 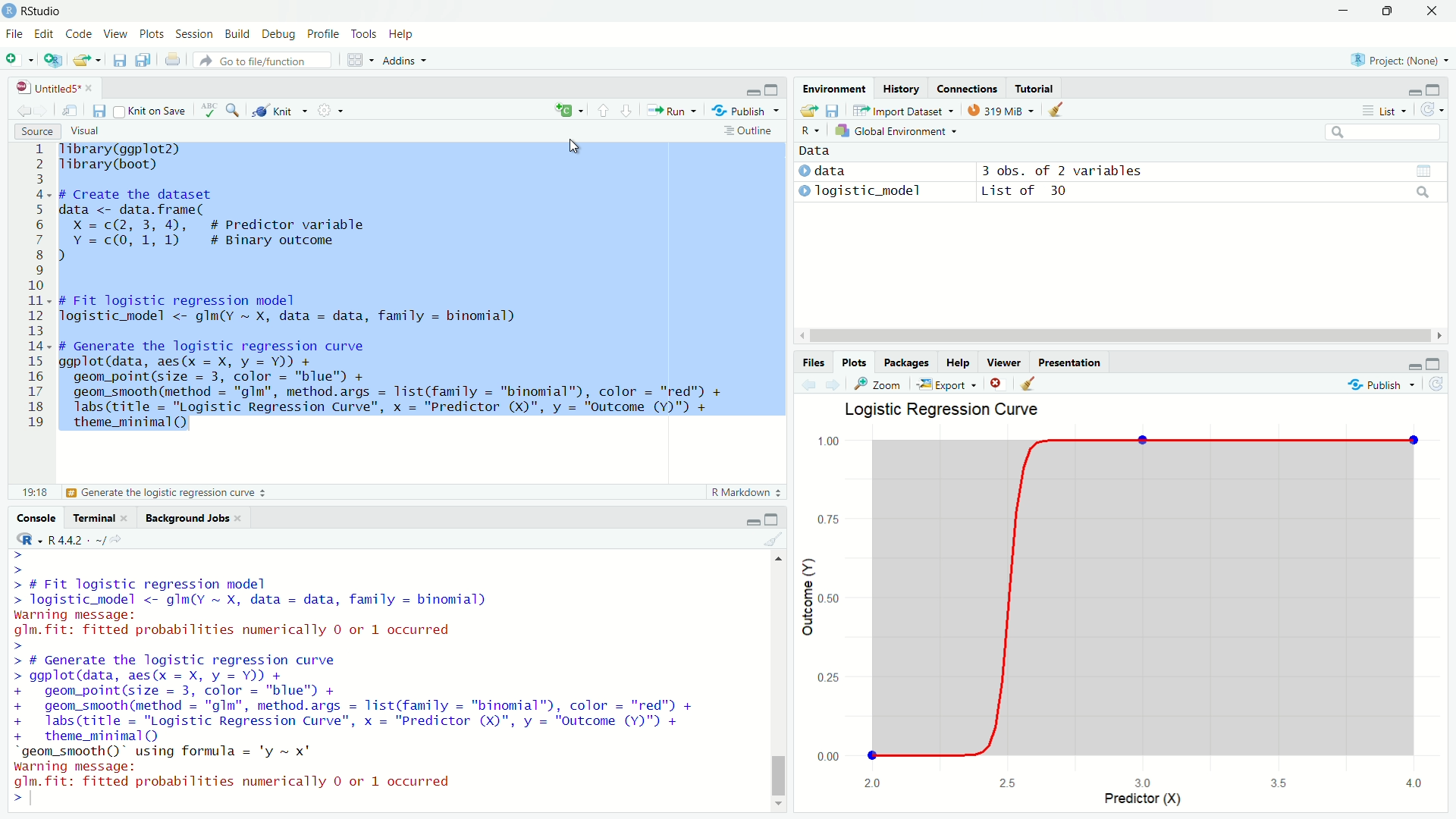 I want to click on Save all open documents, so click(x=143, y=58).